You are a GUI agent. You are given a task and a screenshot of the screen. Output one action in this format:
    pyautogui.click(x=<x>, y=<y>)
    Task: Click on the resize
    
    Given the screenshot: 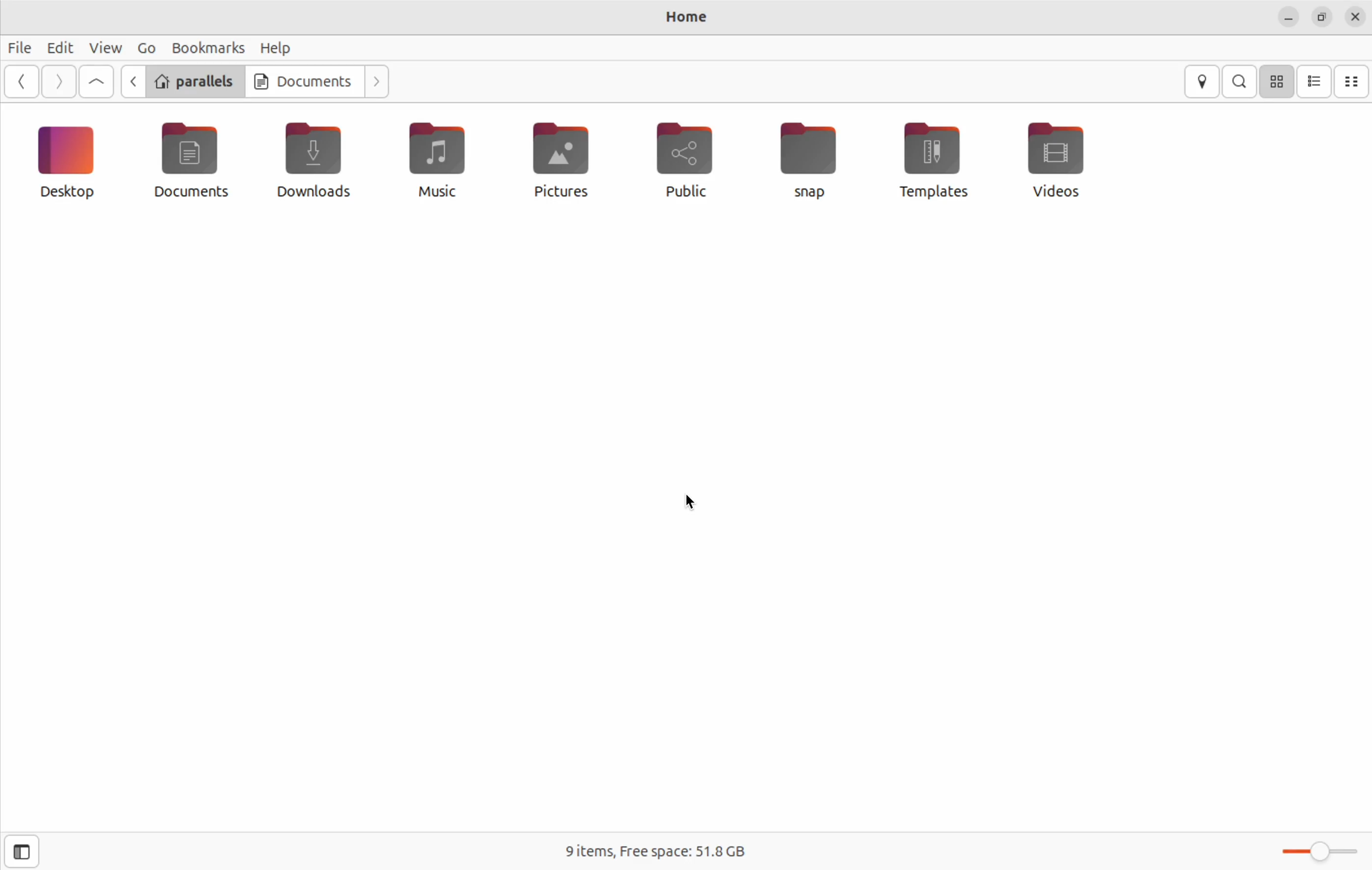 What is the action you would take?
    pyautogui.click(x=1321, y=17)
    